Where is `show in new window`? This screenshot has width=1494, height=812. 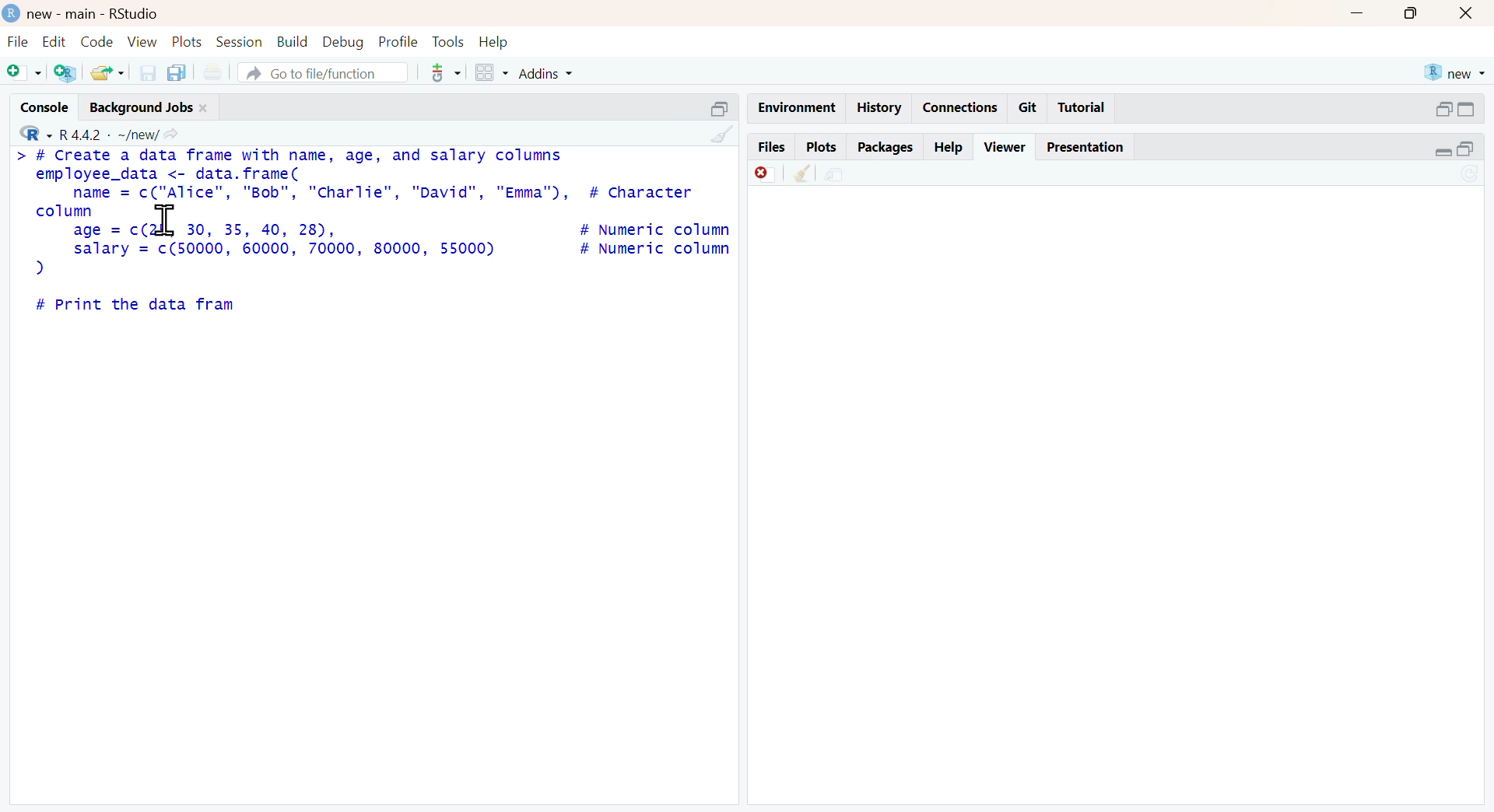 show in new window is located at coordinates (849, 175).